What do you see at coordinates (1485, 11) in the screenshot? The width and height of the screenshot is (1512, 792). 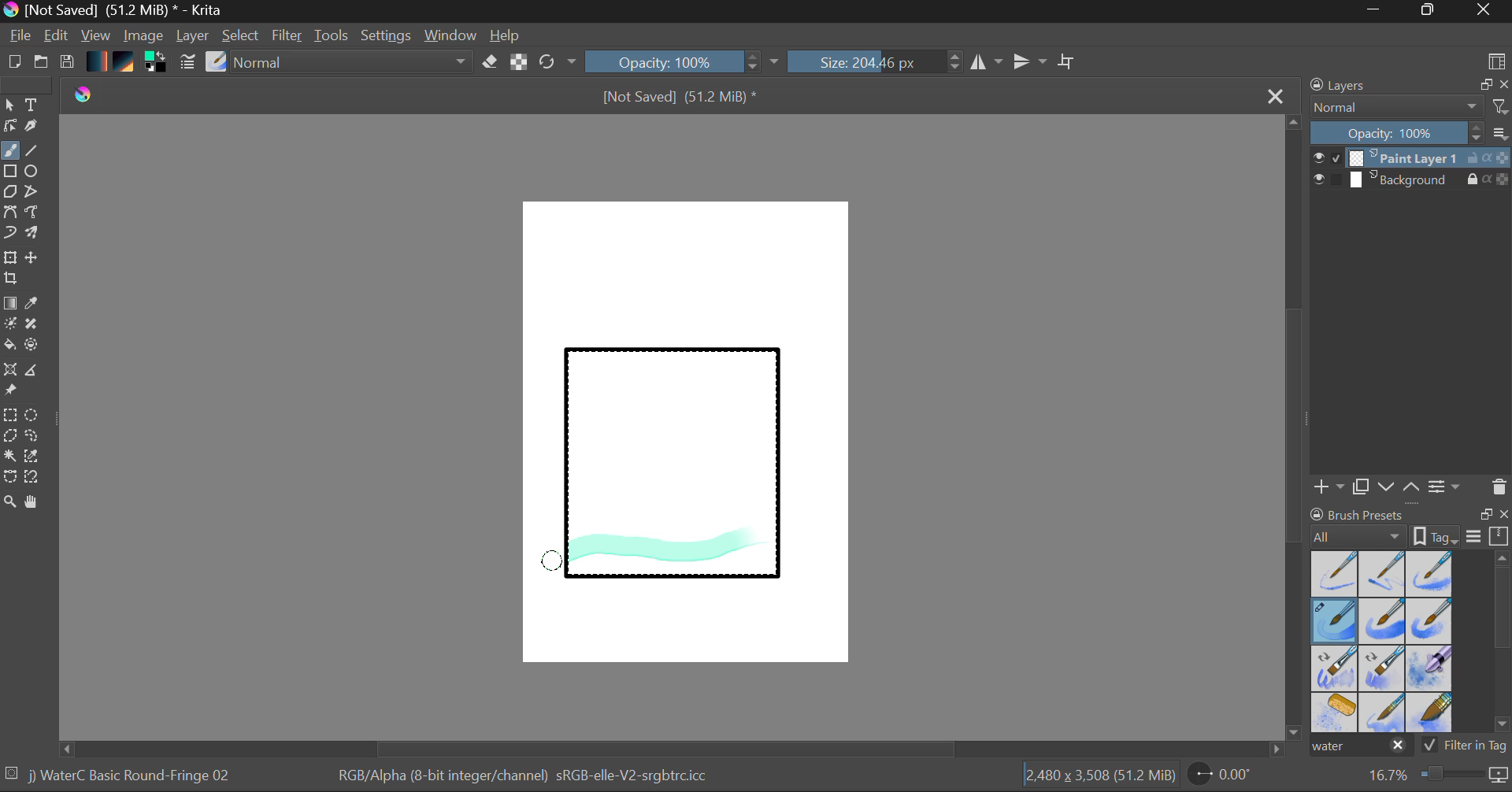 I see `Close` at bounding box center [1485, 11].